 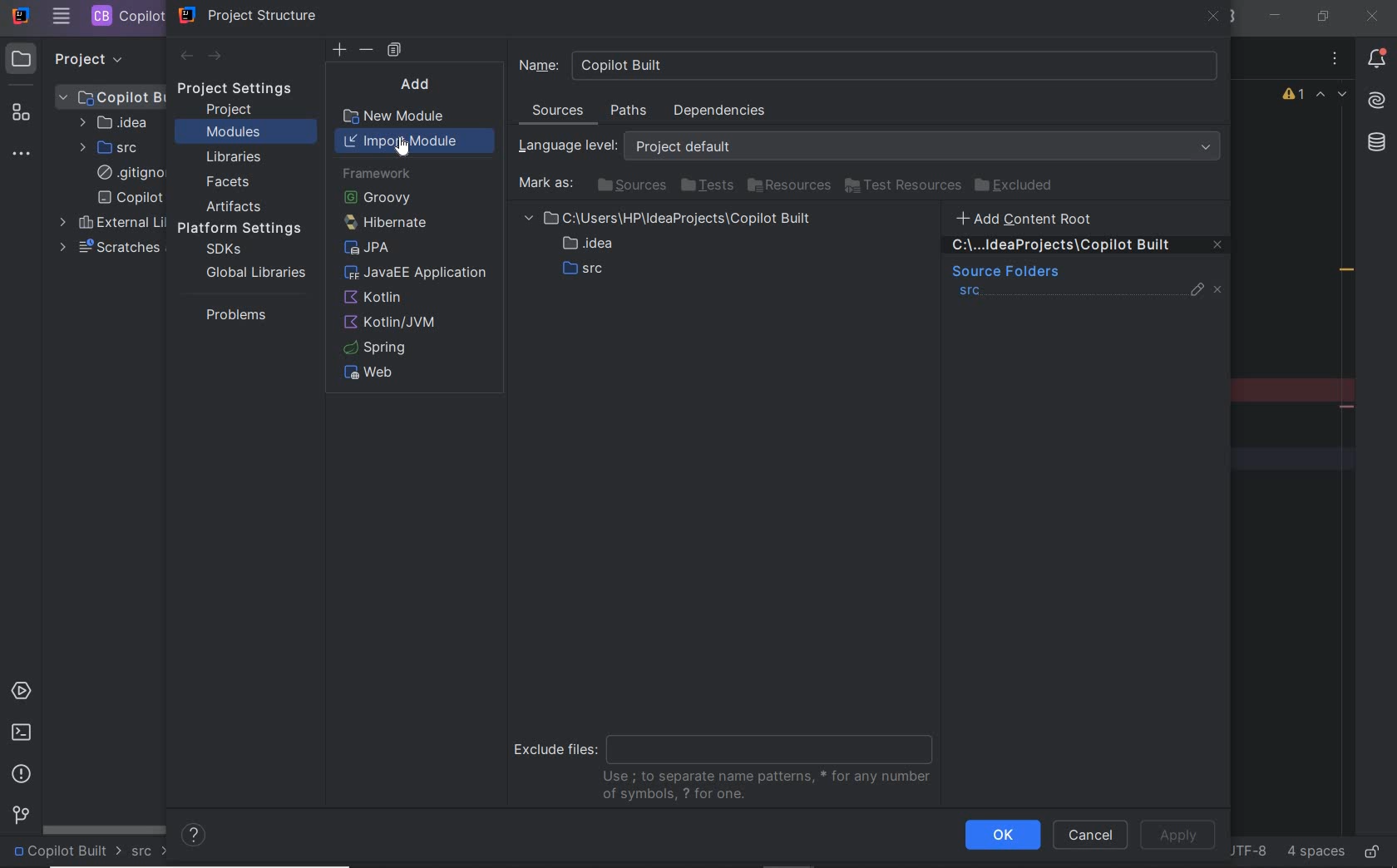 I want to click on PROJECT, so click(x=74, y=58).